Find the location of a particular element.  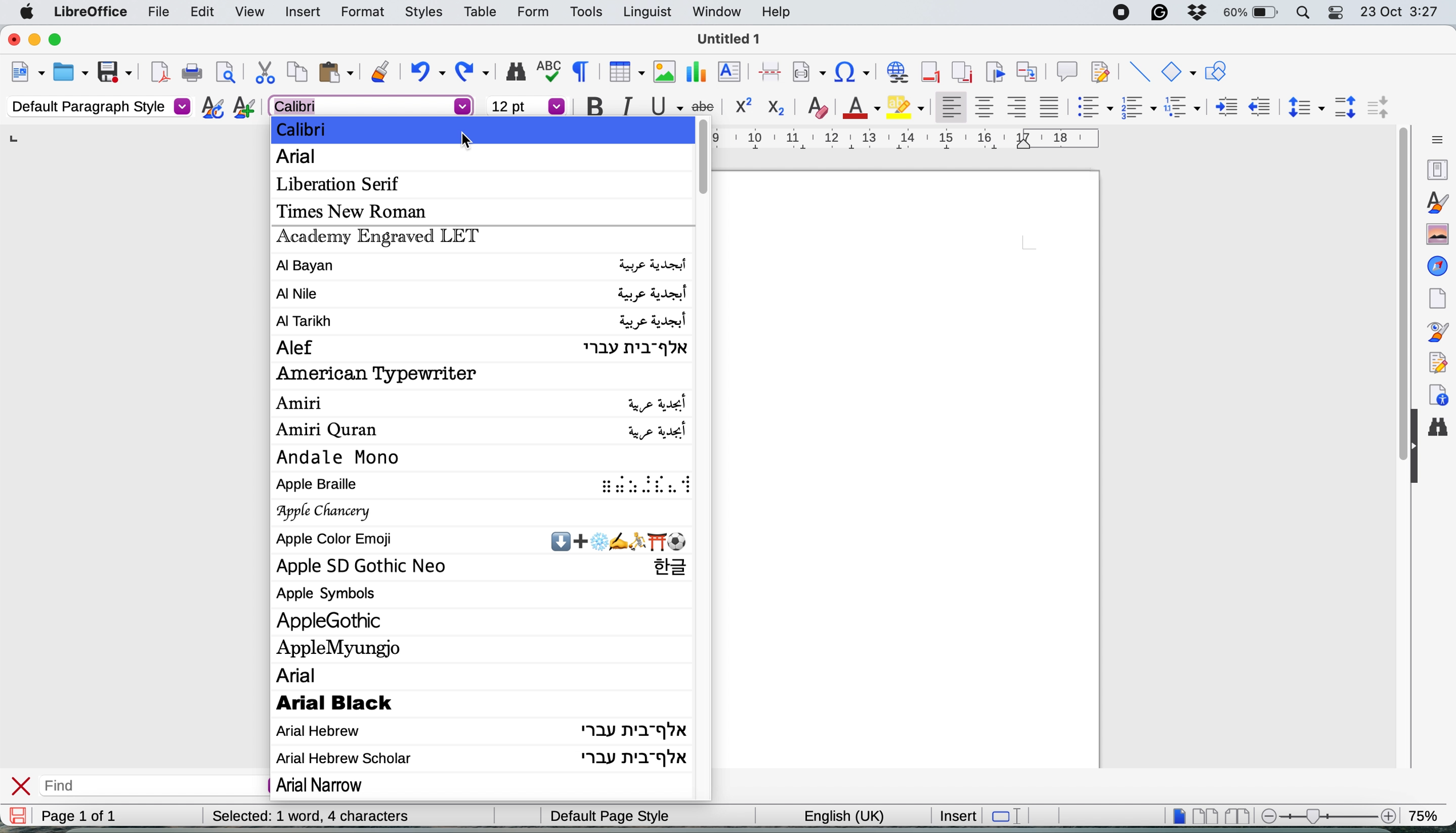

insert comment is located at coordinates (1066, 72).